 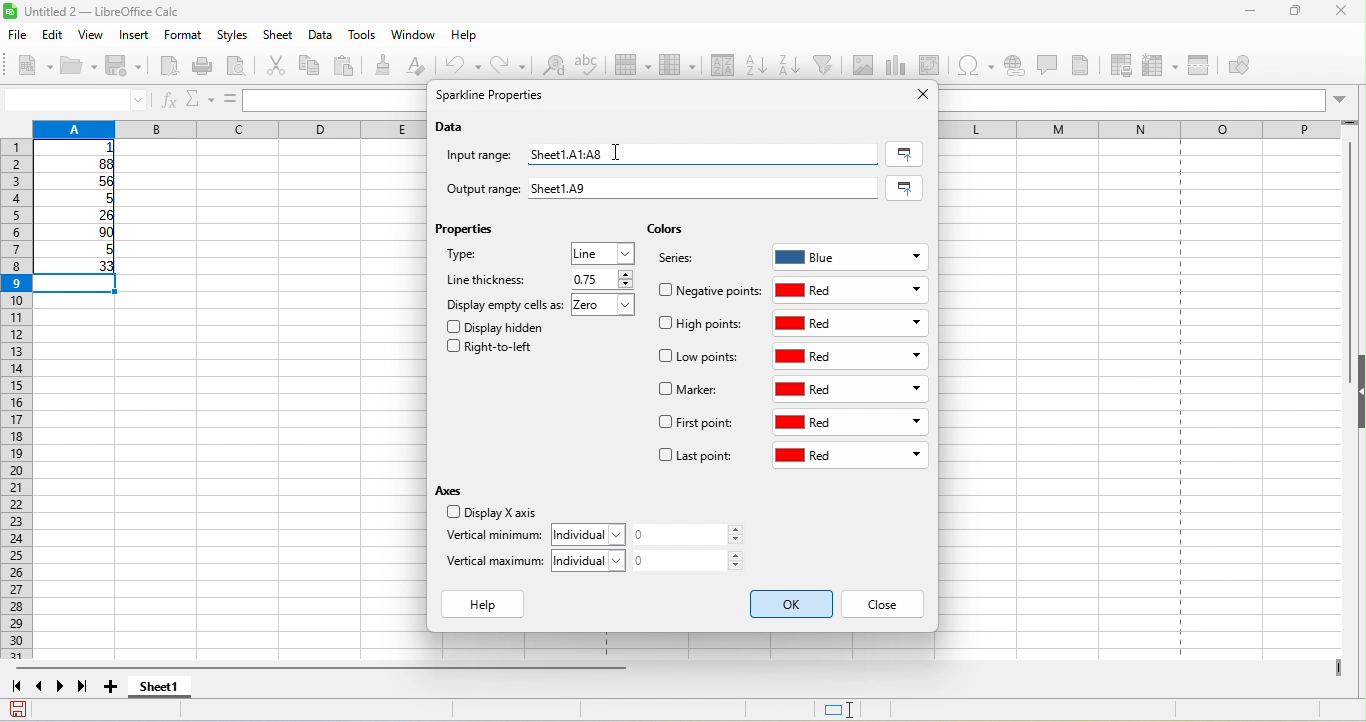 I want to click on scroll to first sheet, so click(x=16, y=687).